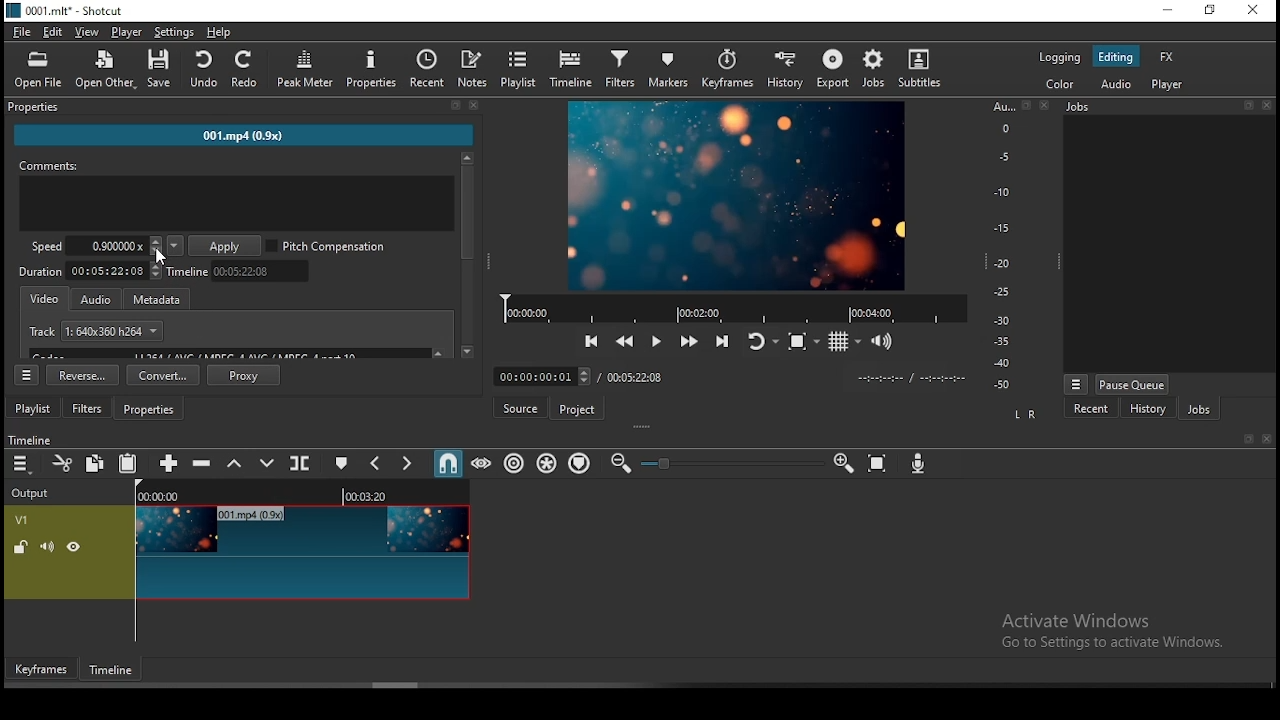  What do you see at coordinates (149, 408) in the screenshot?
I see `properties` at bounding box center [149, 408].